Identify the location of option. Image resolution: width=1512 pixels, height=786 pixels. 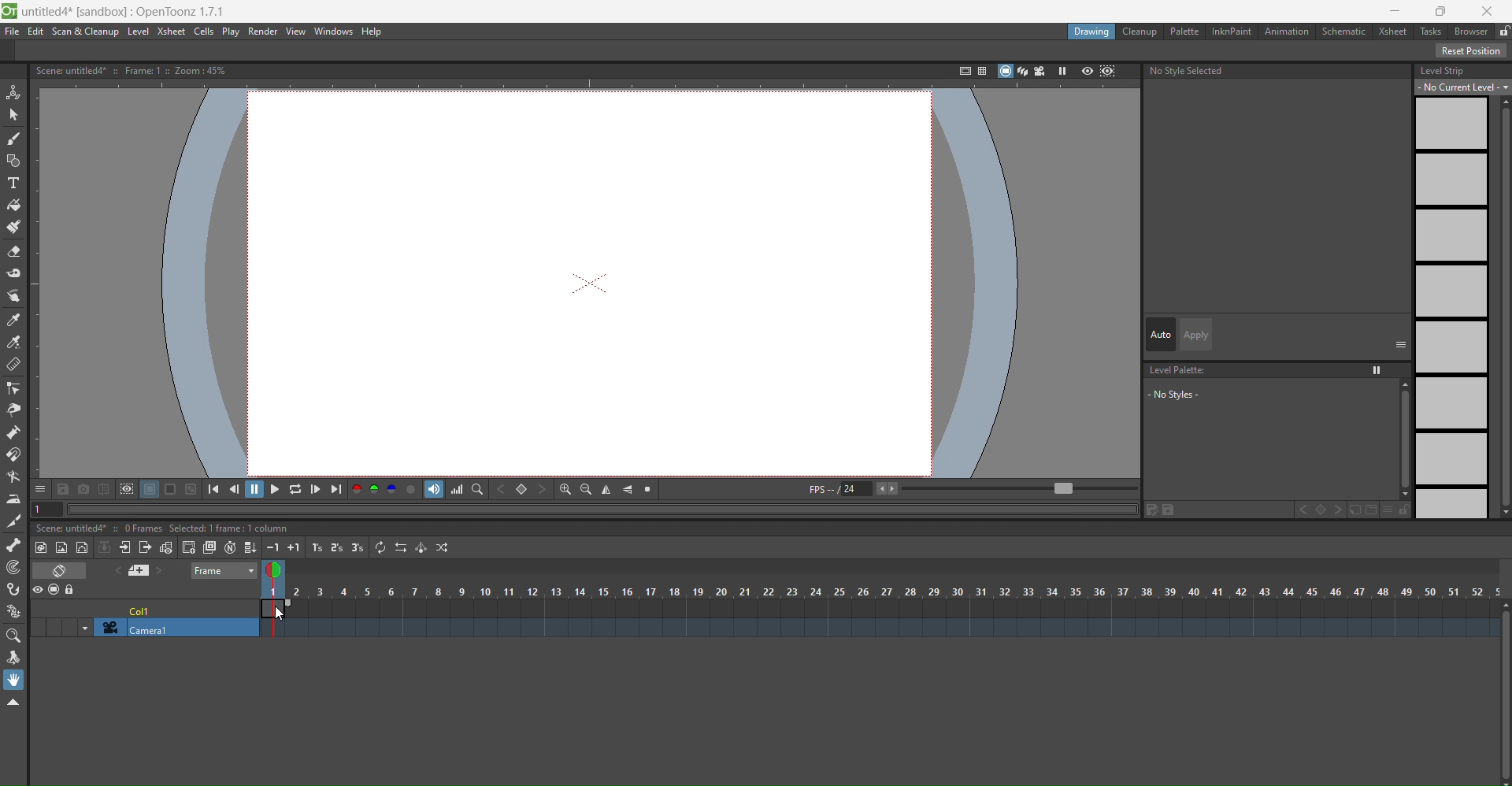
(1378, 370).